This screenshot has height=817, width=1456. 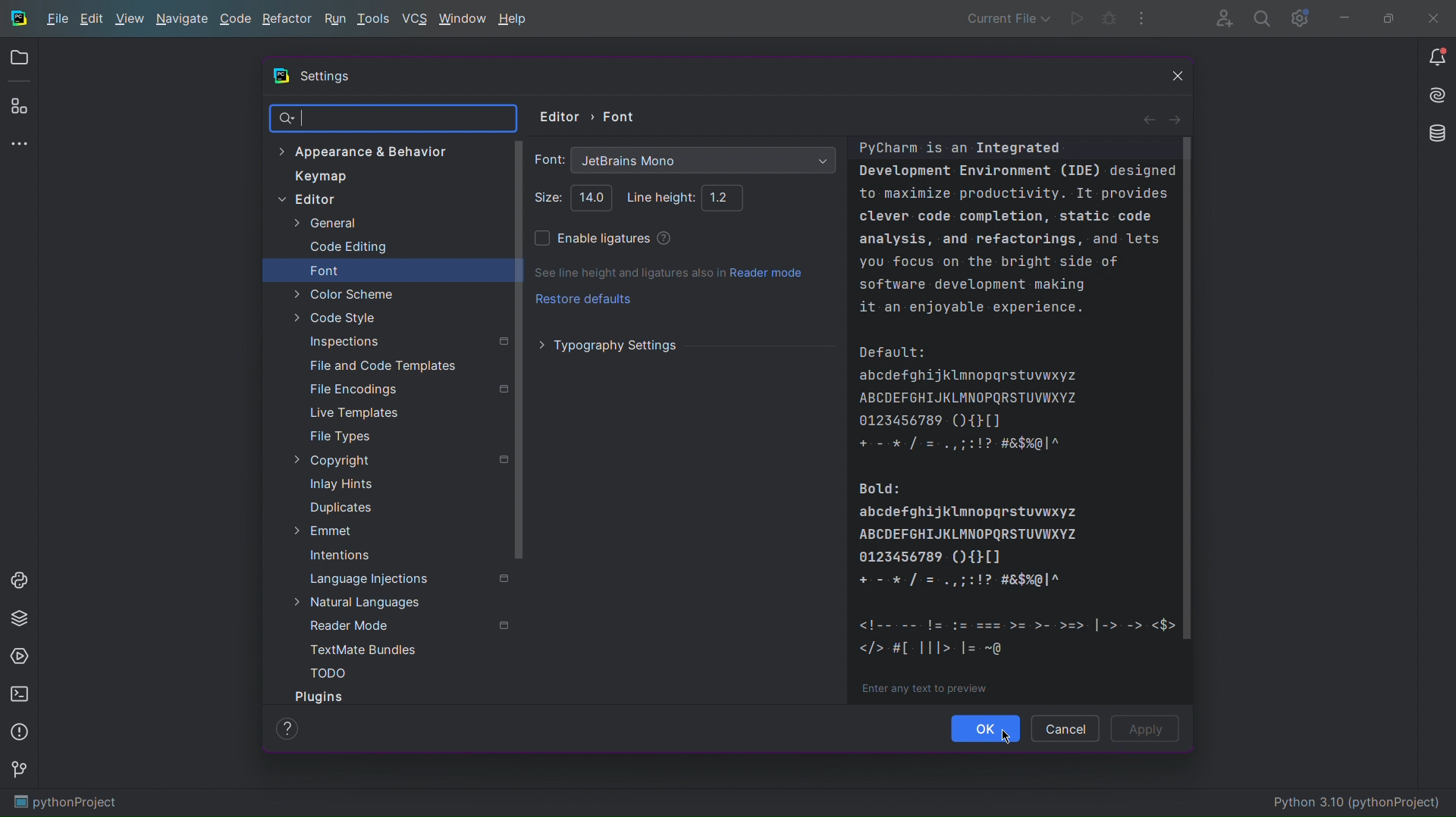 I want to click on Cursor, so click(x=1003, y=735).